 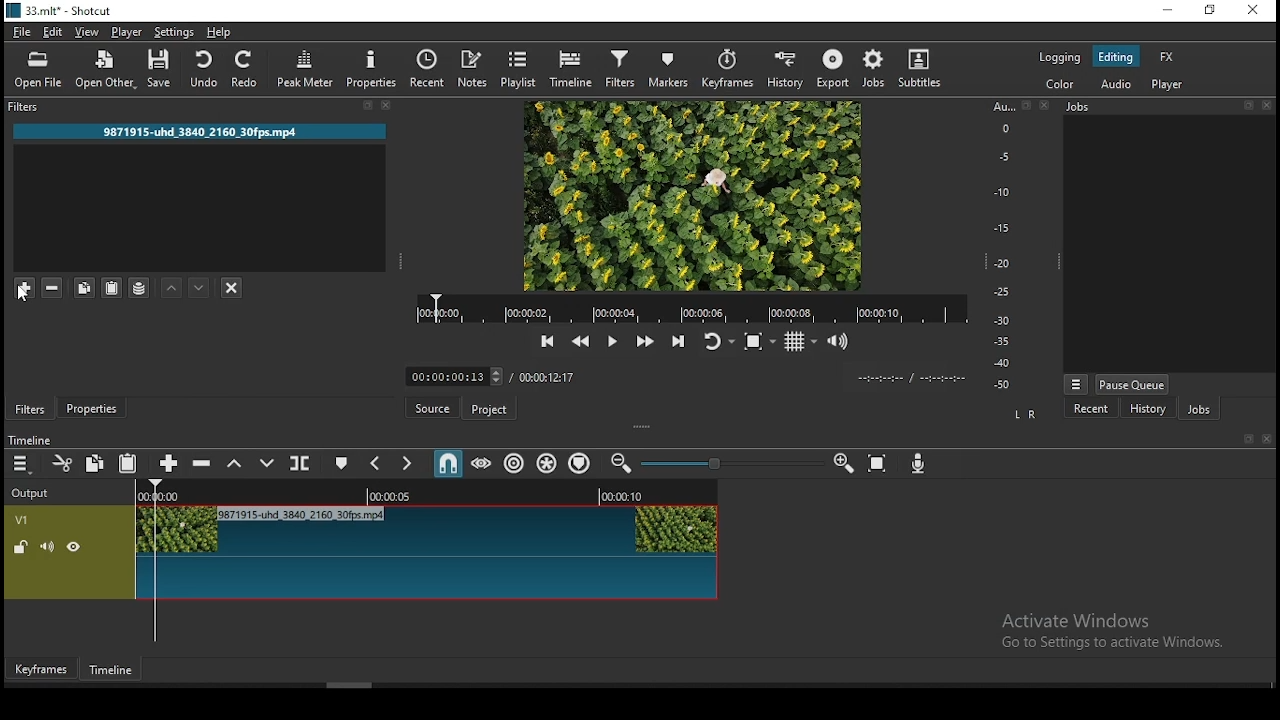 What do you see at coordinates (15, 12) in the screenshot?
I see `logo` at bounding box center [15, 12].